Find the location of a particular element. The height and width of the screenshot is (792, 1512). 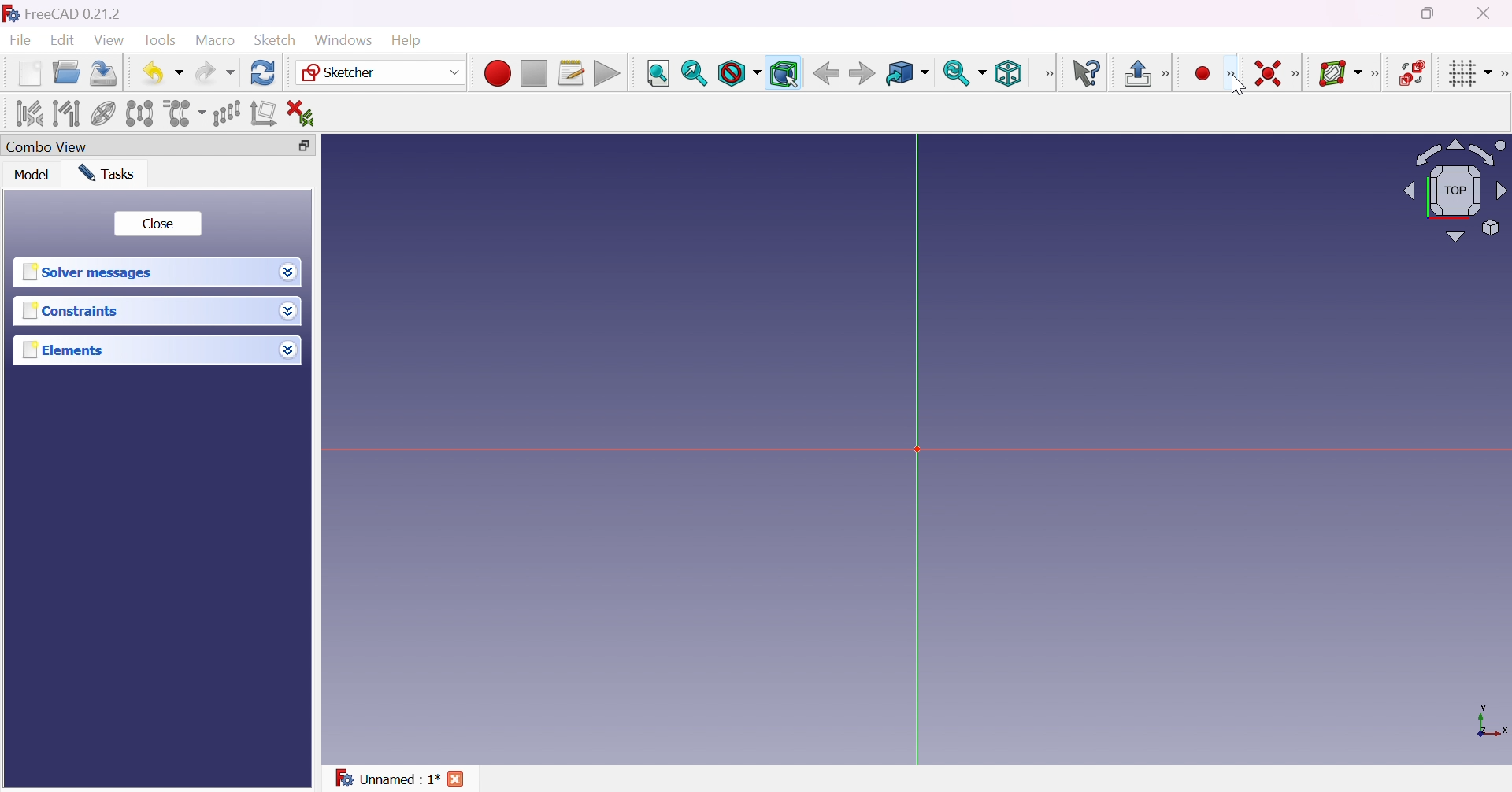

Restore down is located at coordinates (312, 146).